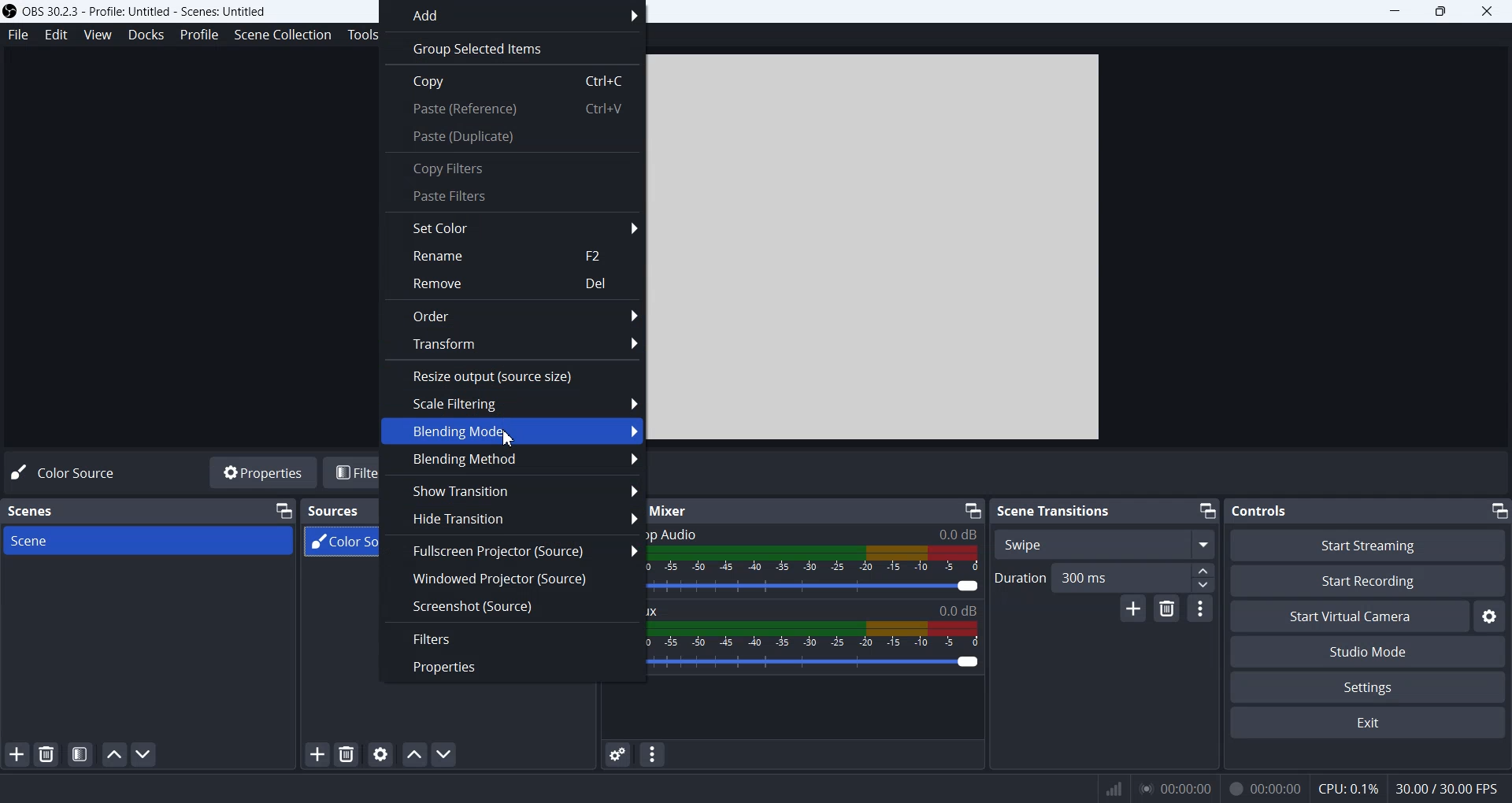 Image resolution: width=1512 pixels, height=803 pixels. What do you see at coordinates (1492, 616) in the screenshot?
I see `Settings` at bounding box center [1492, 616].